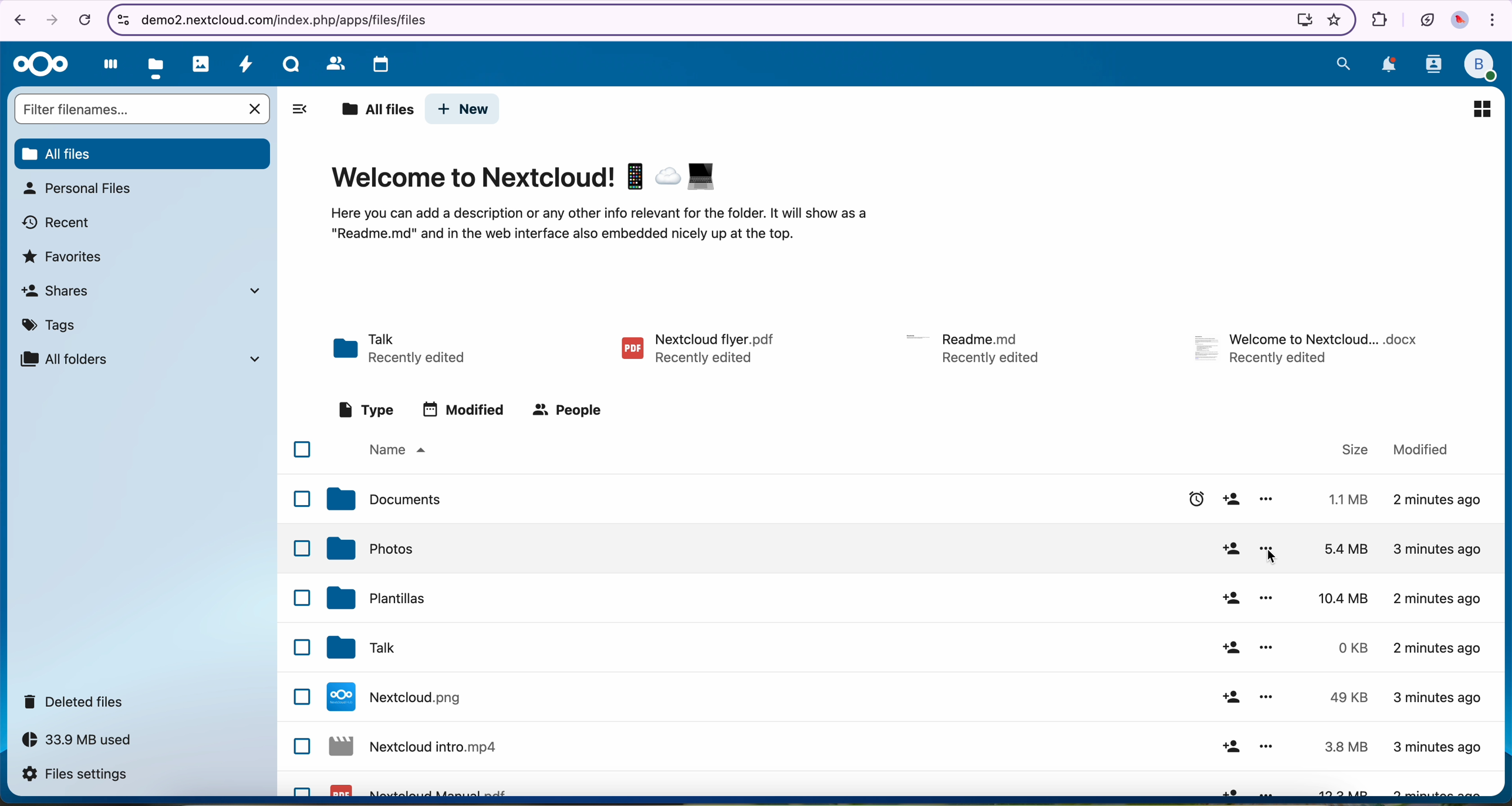  Describe the element at coordinates (1229, 598) in the screenshot. I see `share` at that location.